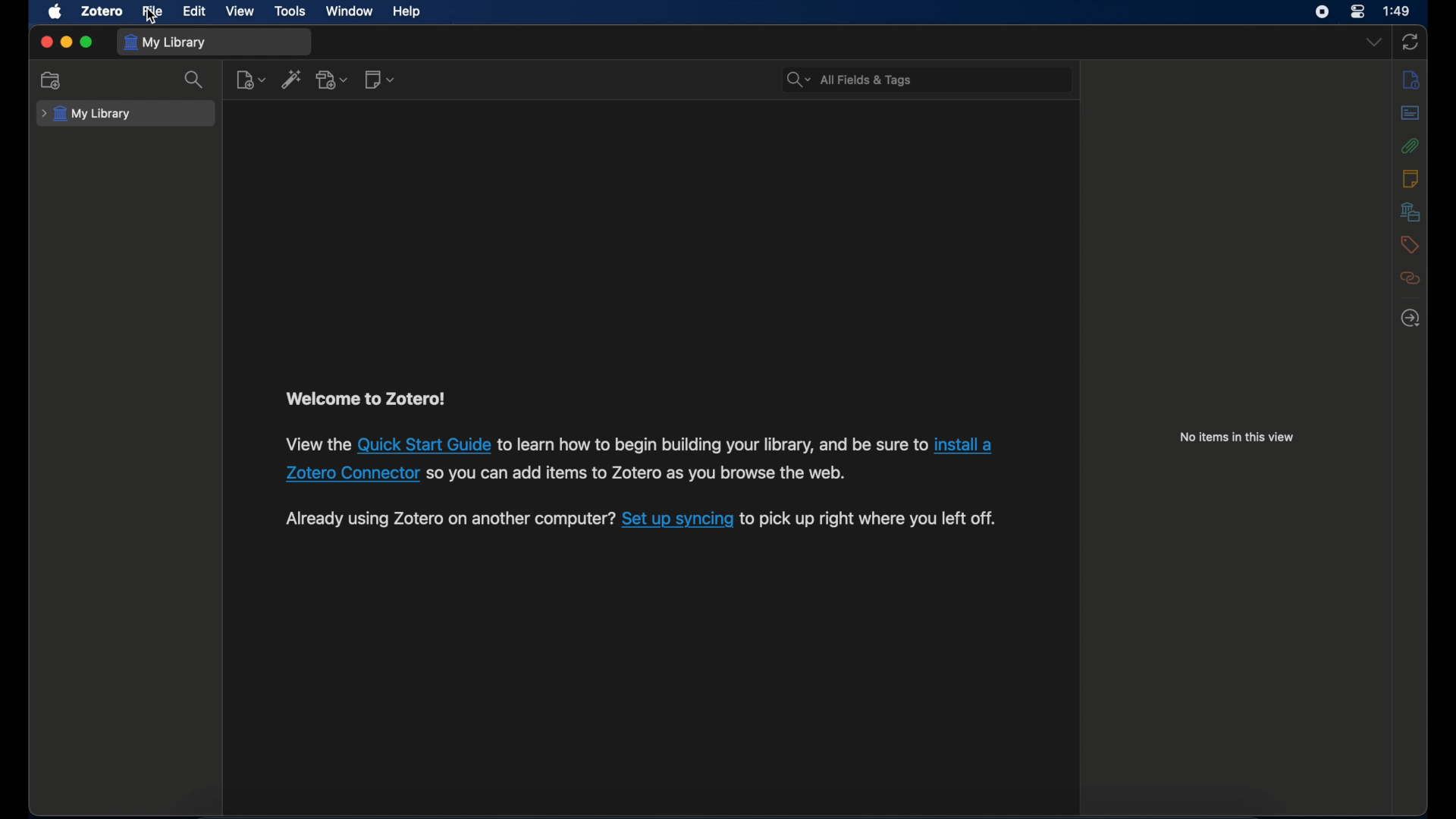 This screenshot has height=819, width=1456. What do you see at coordinates (332, 79) in the screenshot?
I see `add attachment` at bounding box center [332, 79].